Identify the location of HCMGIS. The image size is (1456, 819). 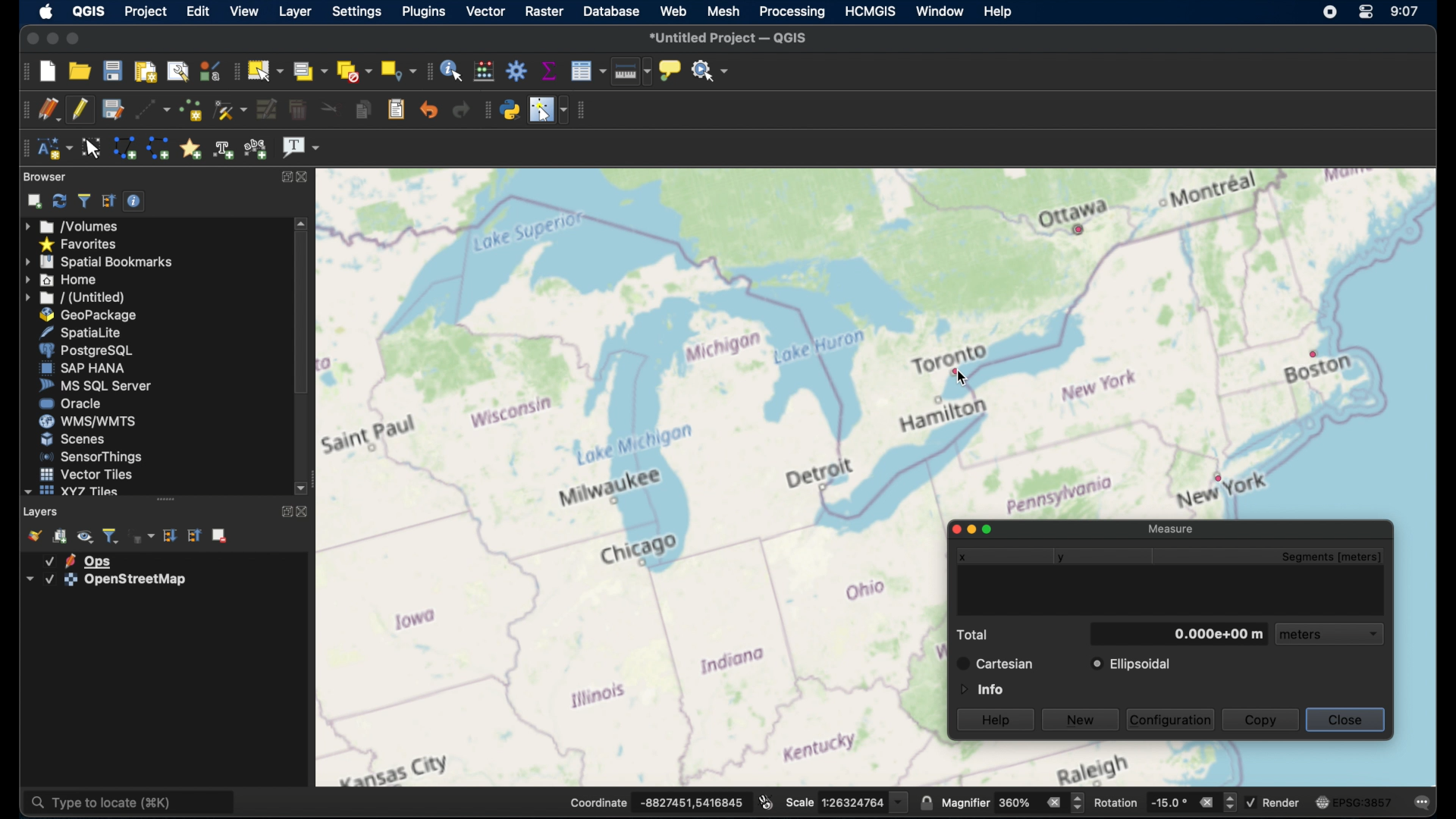
(873, 11).